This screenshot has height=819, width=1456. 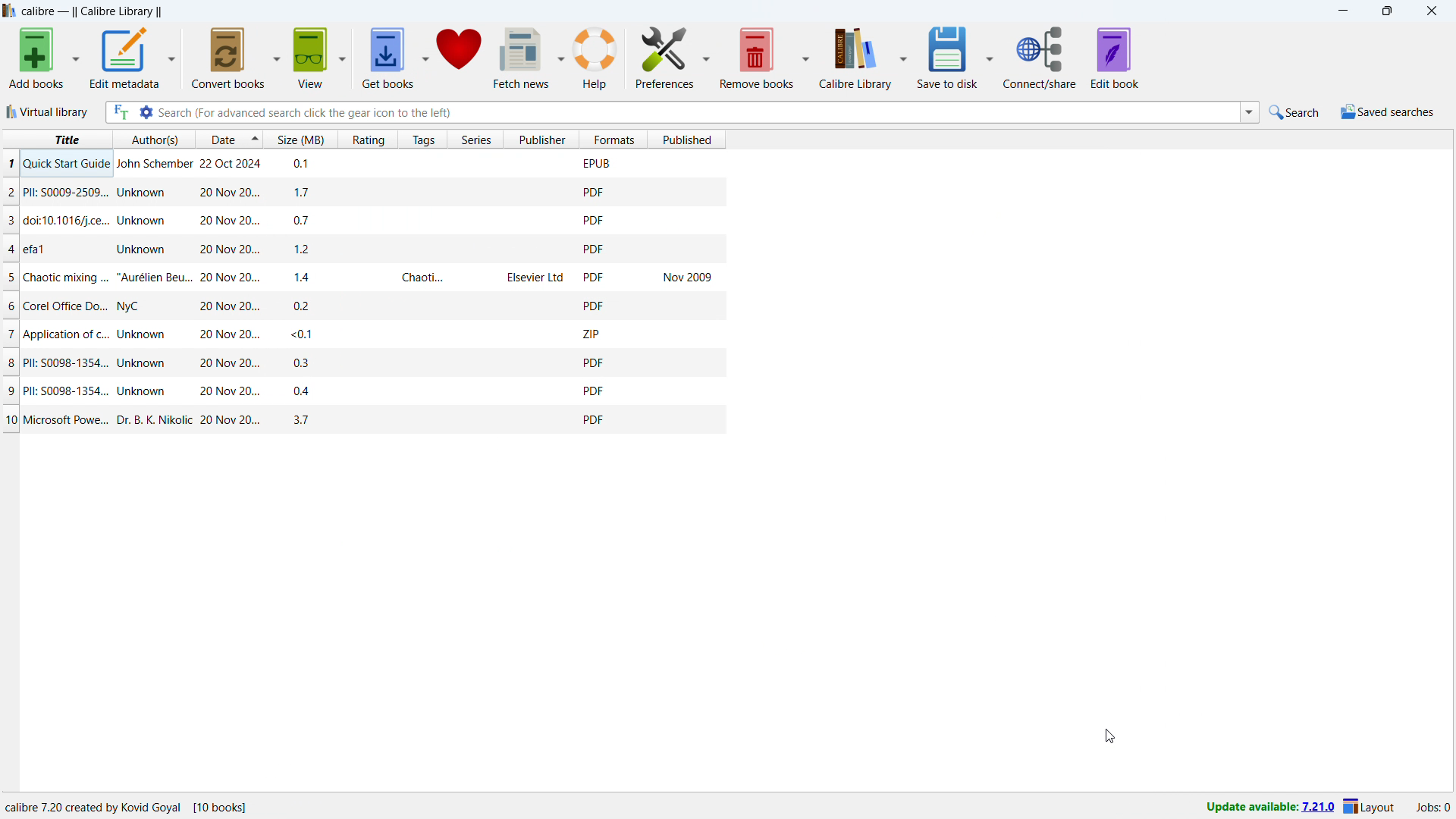 What do you see at coordinates (360, 272) in the screenshot?
I see `5 Chaotic mixing ... "Aurélien Beu... 20 Nov 20... 14 Chaoti... Elsevier Ltd Nov 2009` at bounding box center [360, 272].